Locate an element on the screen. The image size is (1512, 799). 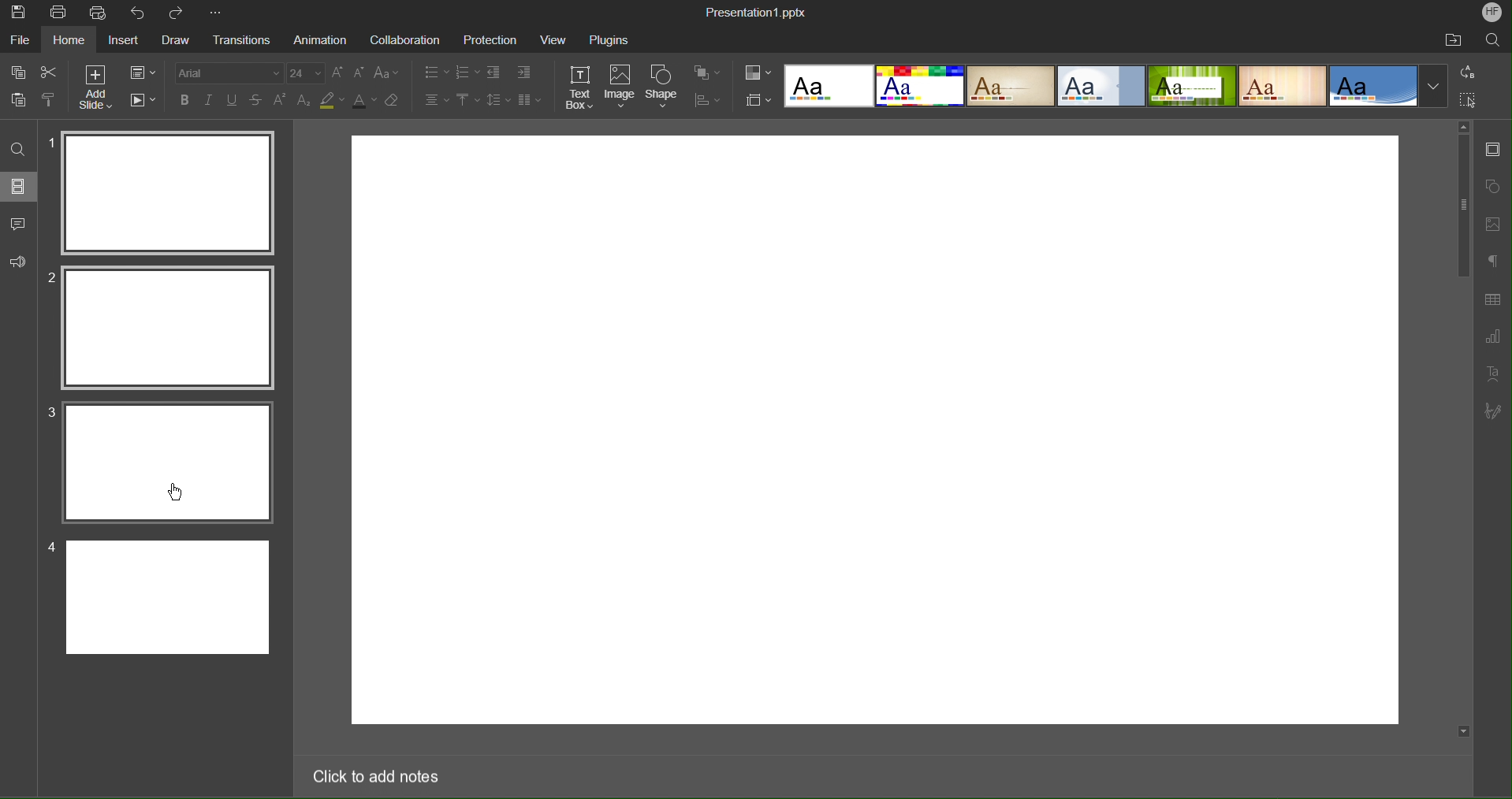
Image Settings is located at coordinates (1494, 224).